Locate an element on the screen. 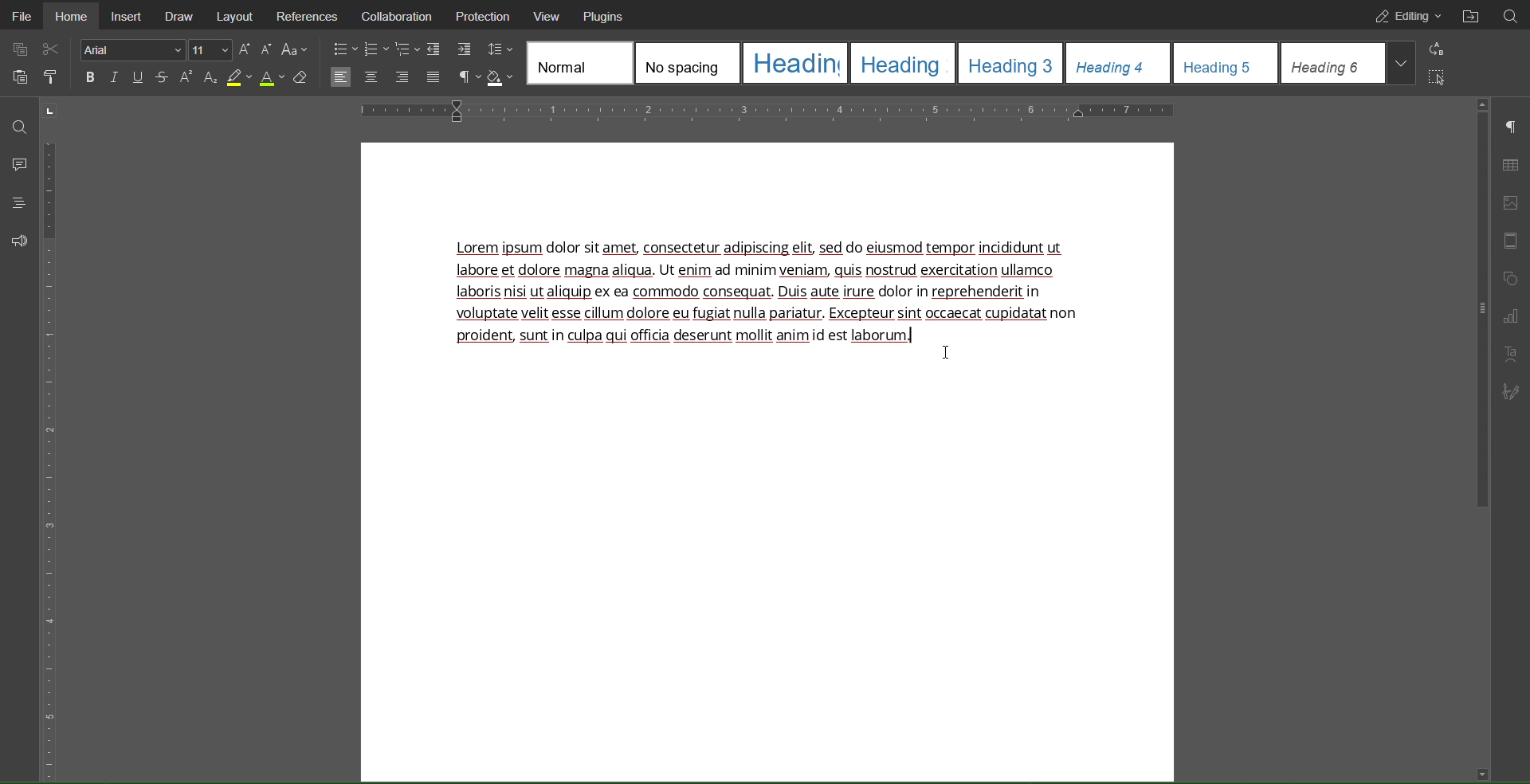 The height and width of the screenshot is (784, 1530). Image Settings is located at coordinates (1509, 203).